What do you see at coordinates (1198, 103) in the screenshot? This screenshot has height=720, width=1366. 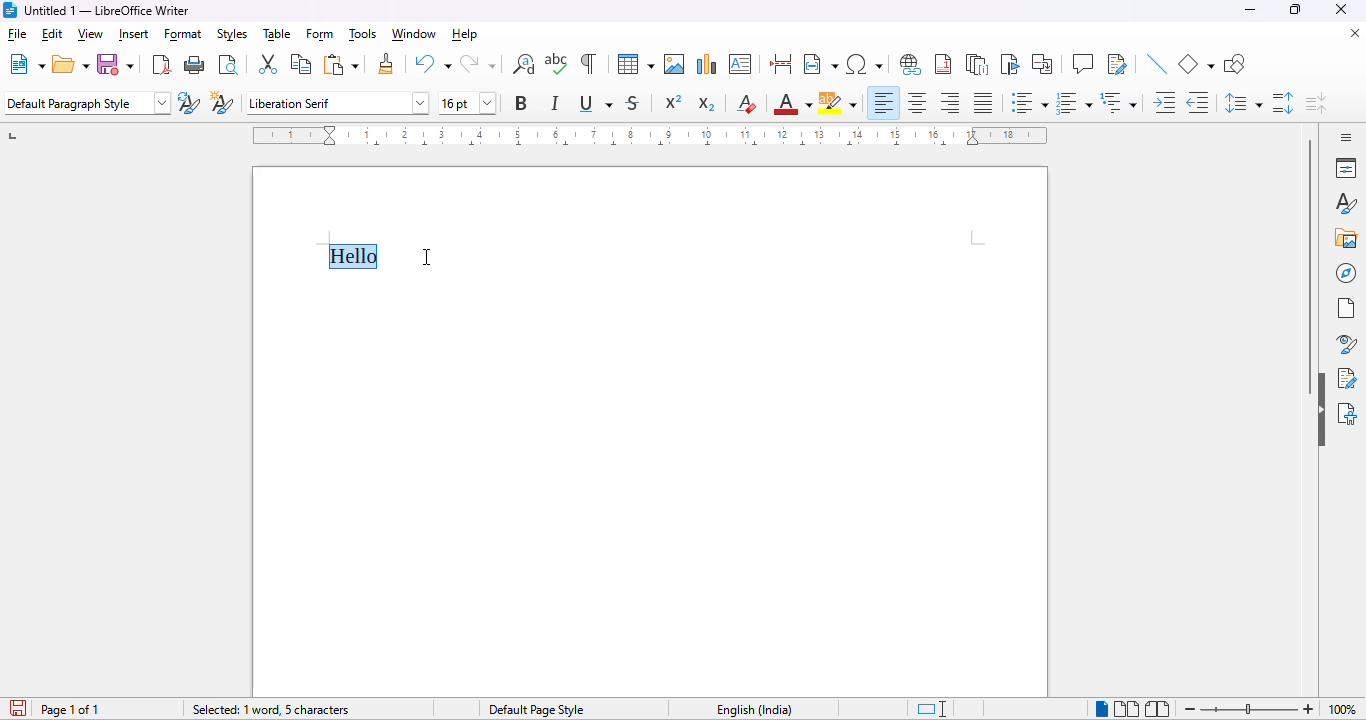 I see `decrease indent` at bounding box center [1198, 103].